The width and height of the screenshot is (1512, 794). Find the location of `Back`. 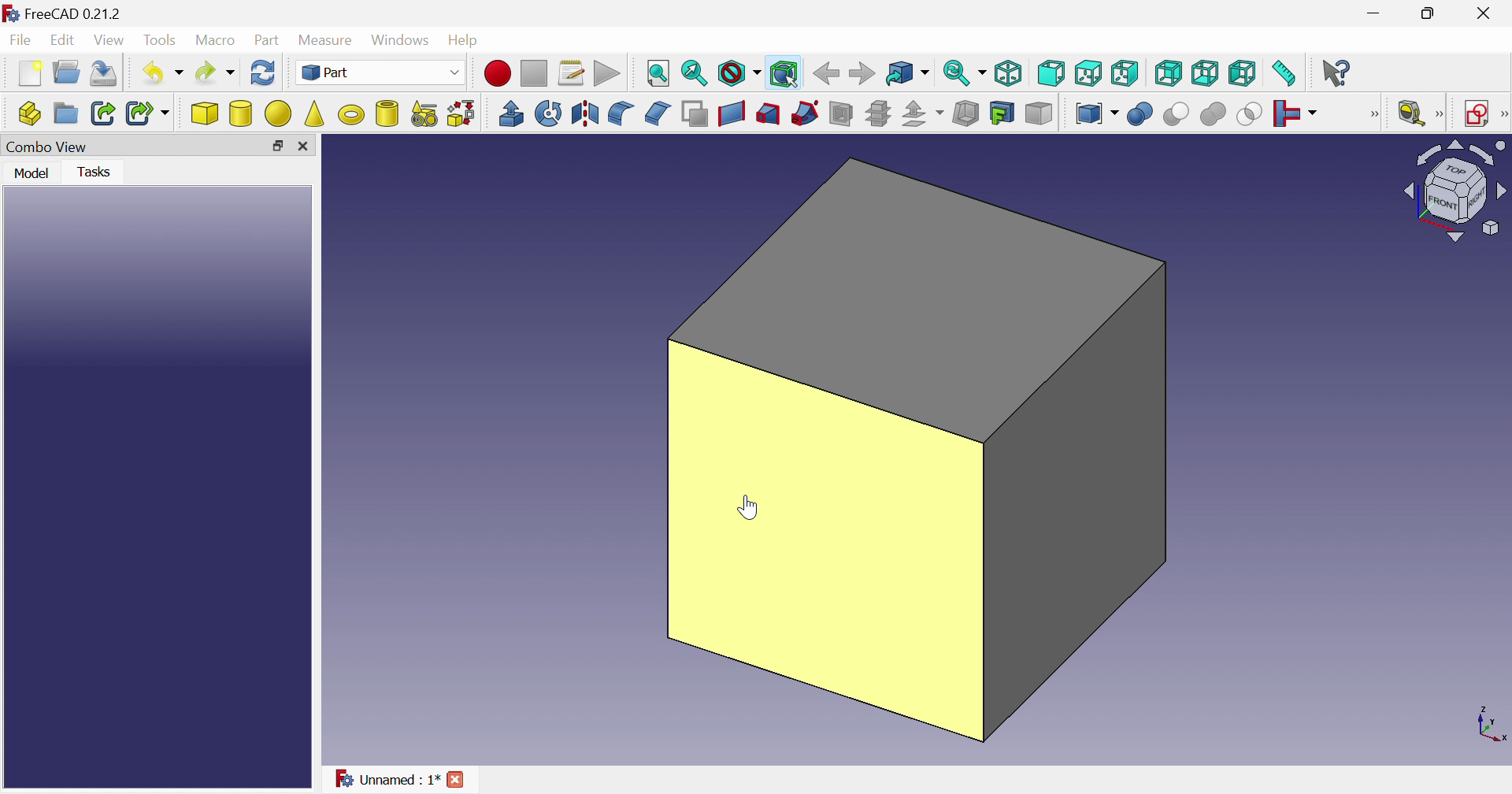

Back is located at coordinates (826, 72).